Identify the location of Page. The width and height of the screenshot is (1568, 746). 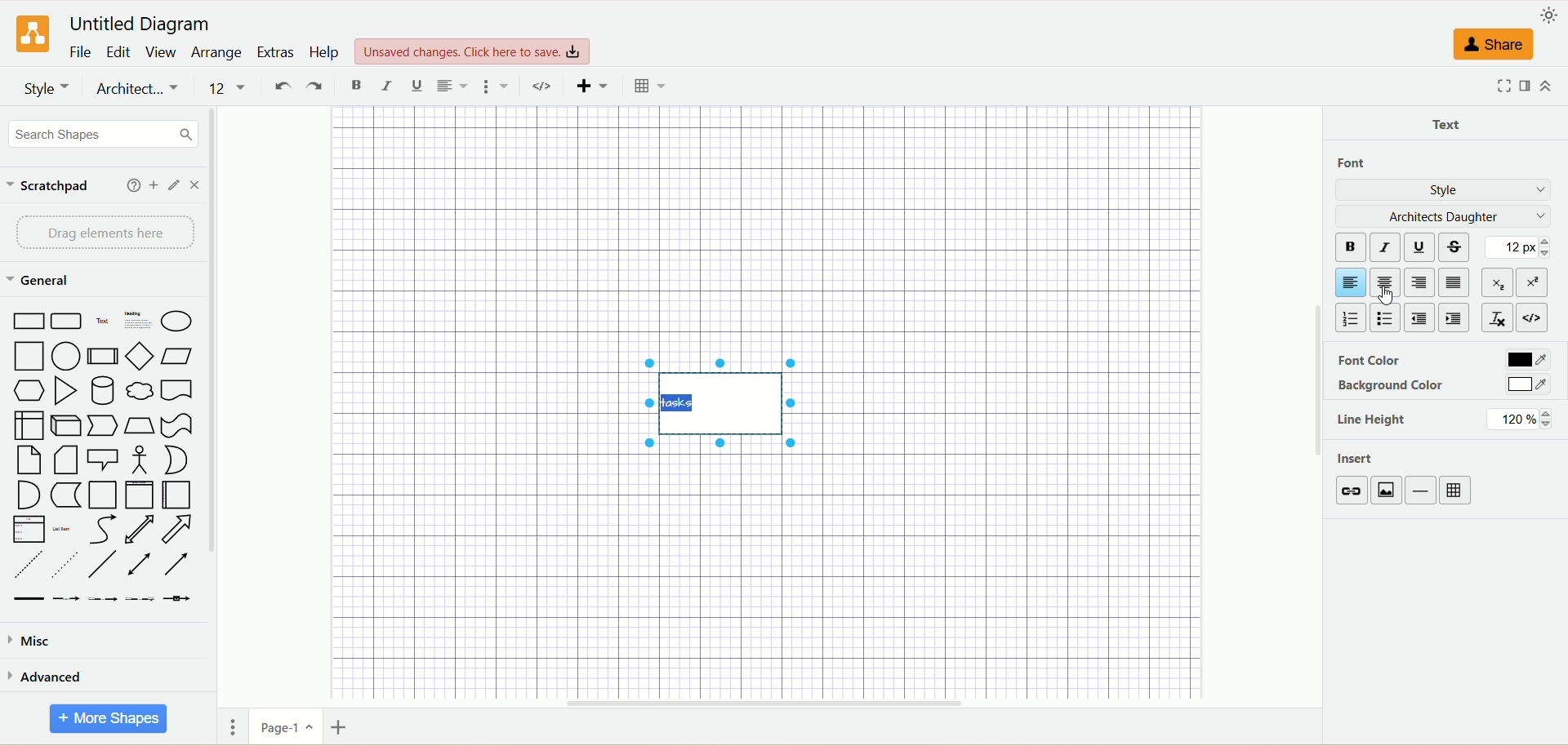
(102, 495).